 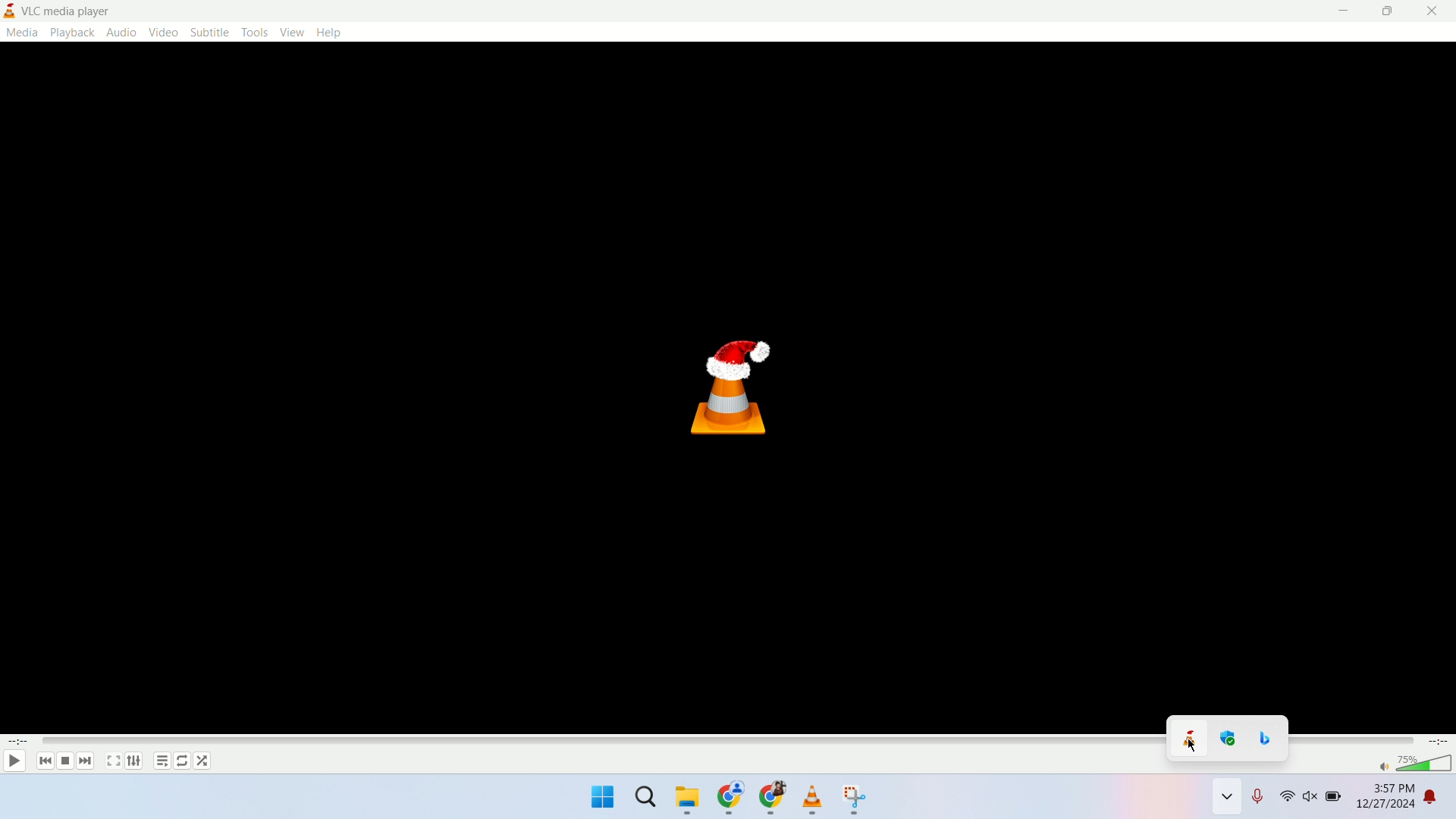 What do you see at coordinates (257, 32) in the screenshot?
I see `tools` at bounding box center [257, 32].